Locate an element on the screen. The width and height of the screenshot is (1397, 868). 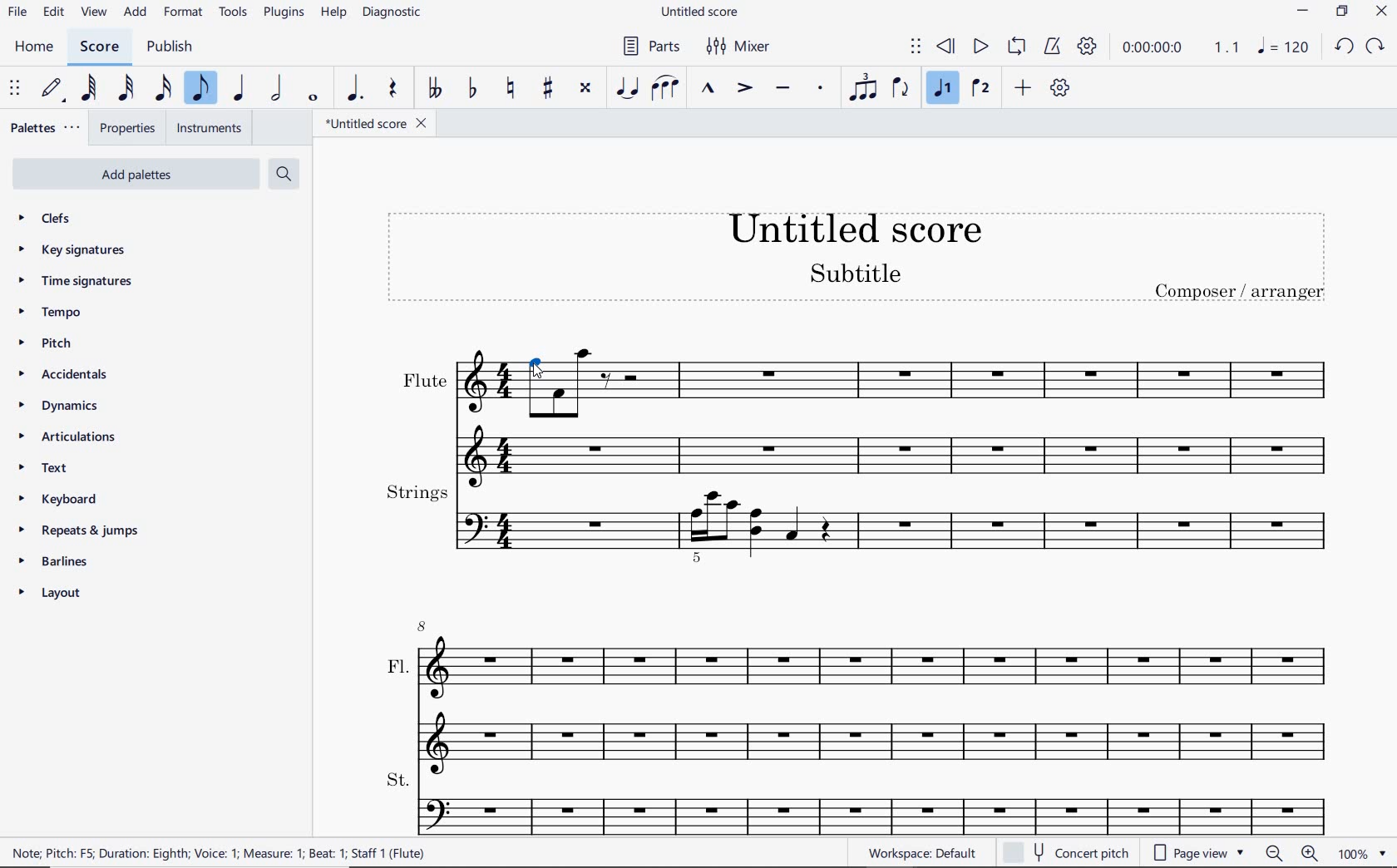
workspace default is located at coordinates (922, 853).